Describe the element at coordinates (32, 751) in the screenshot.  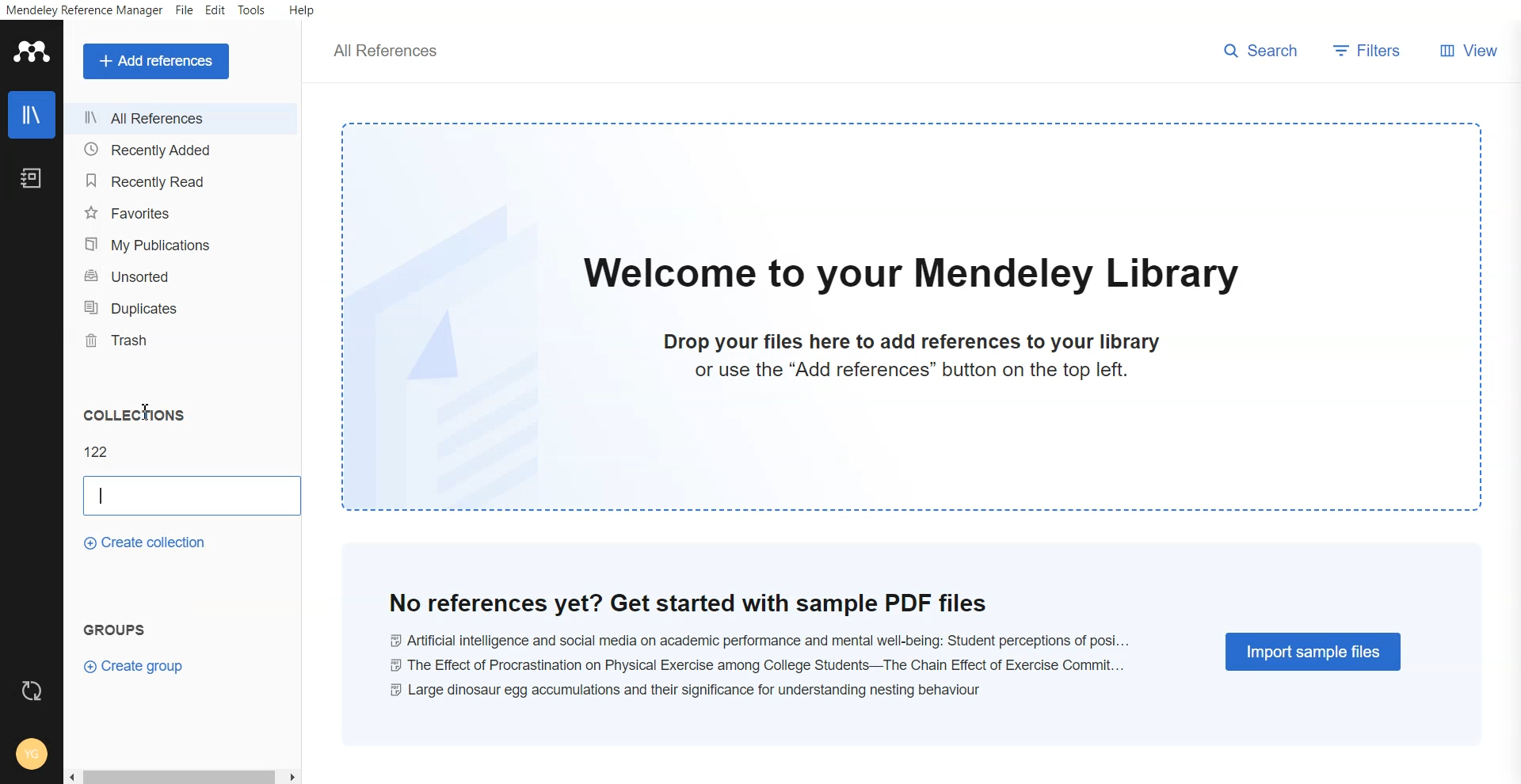
I see `Account` at that location.